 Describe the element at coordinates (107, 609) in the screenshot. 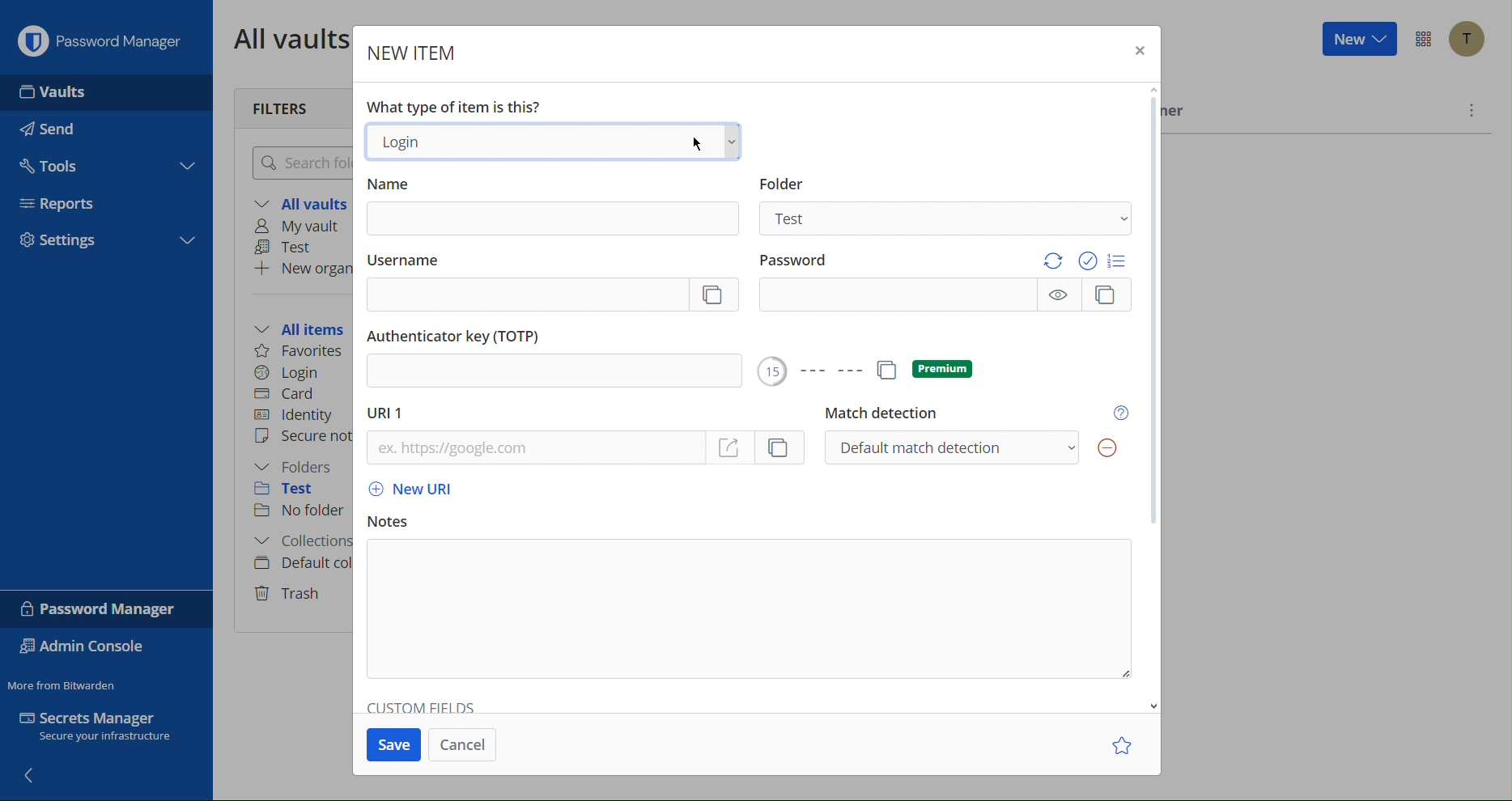

I see `Password Manager` at that location.